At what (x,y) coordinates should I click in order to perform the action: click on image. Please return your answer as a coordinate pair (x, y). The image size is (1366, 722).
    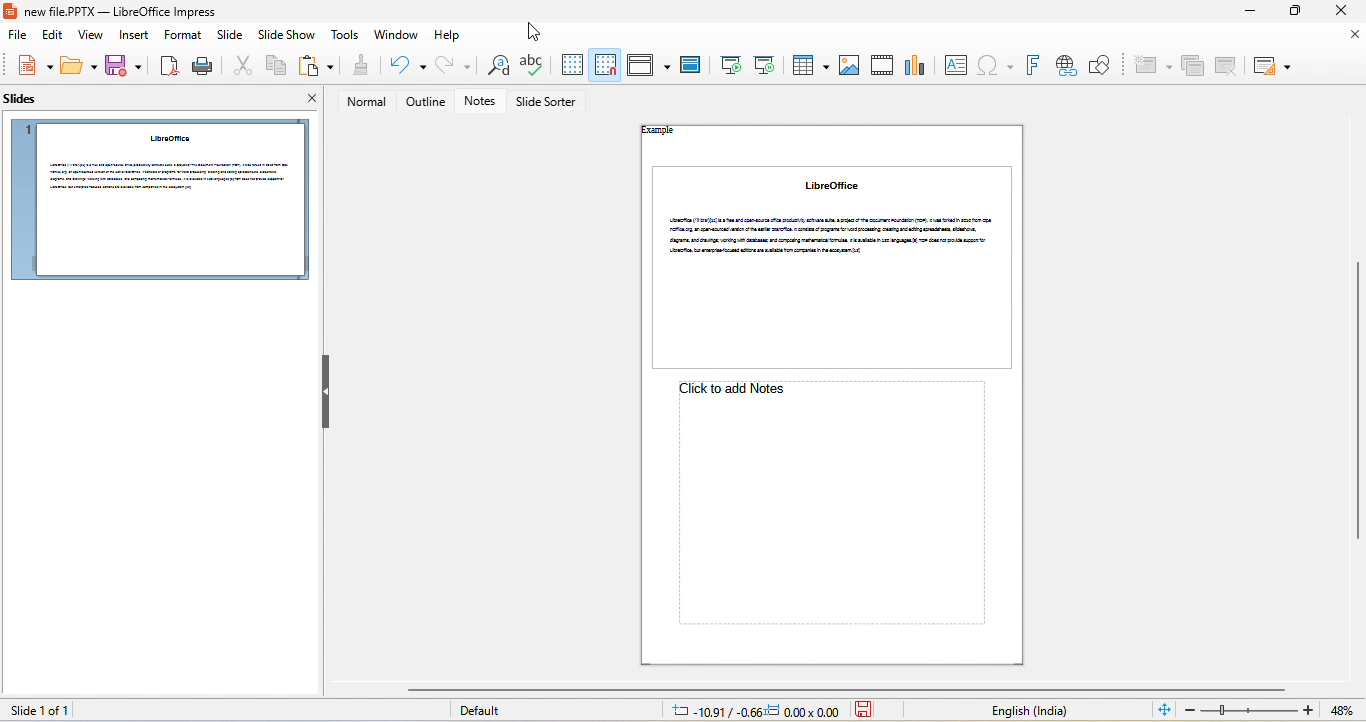
    Looking at the image, I should click on (849, 66).